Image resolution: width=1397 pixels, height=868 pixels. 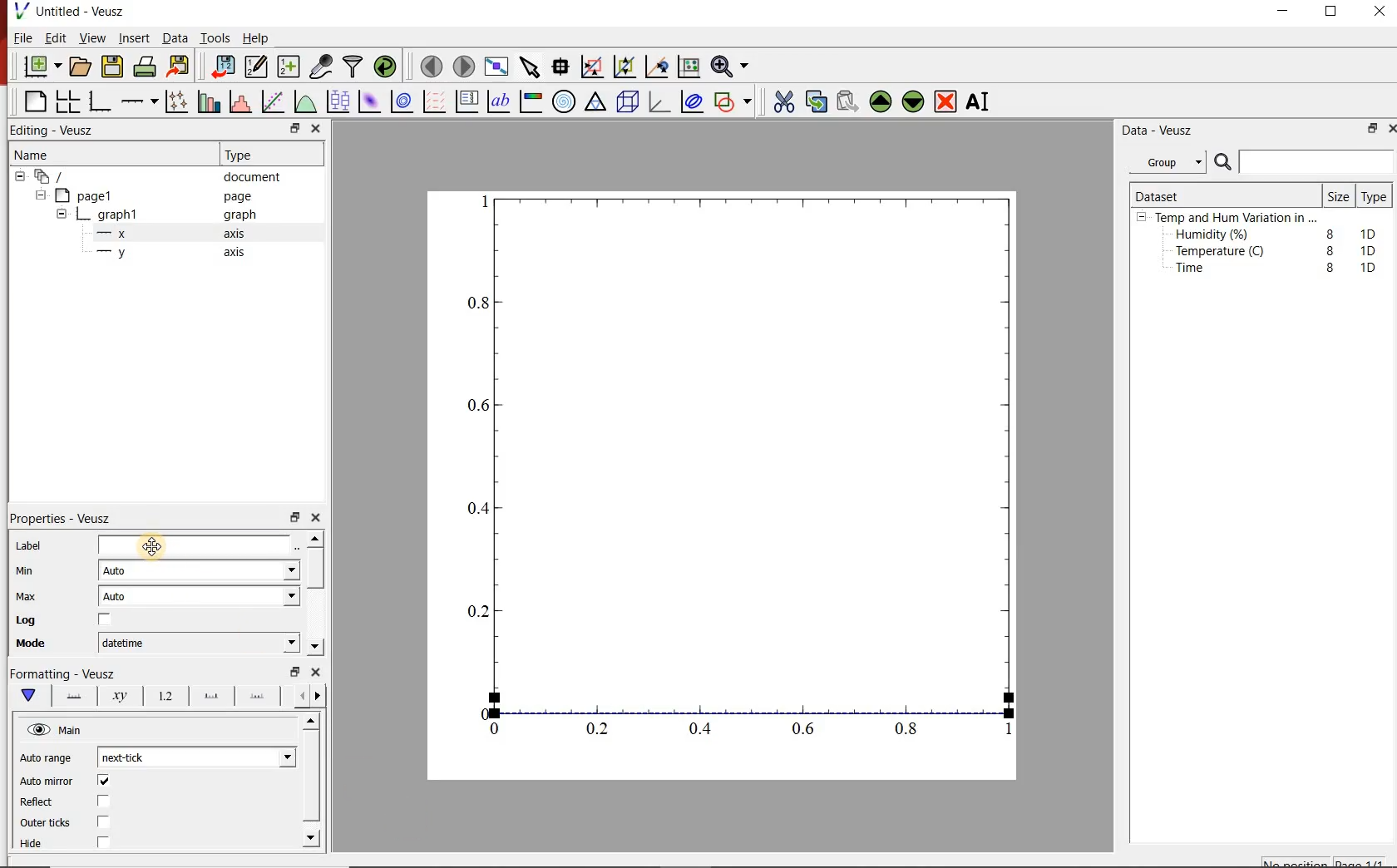 I want to click on axis, so click(x=239, y=235).